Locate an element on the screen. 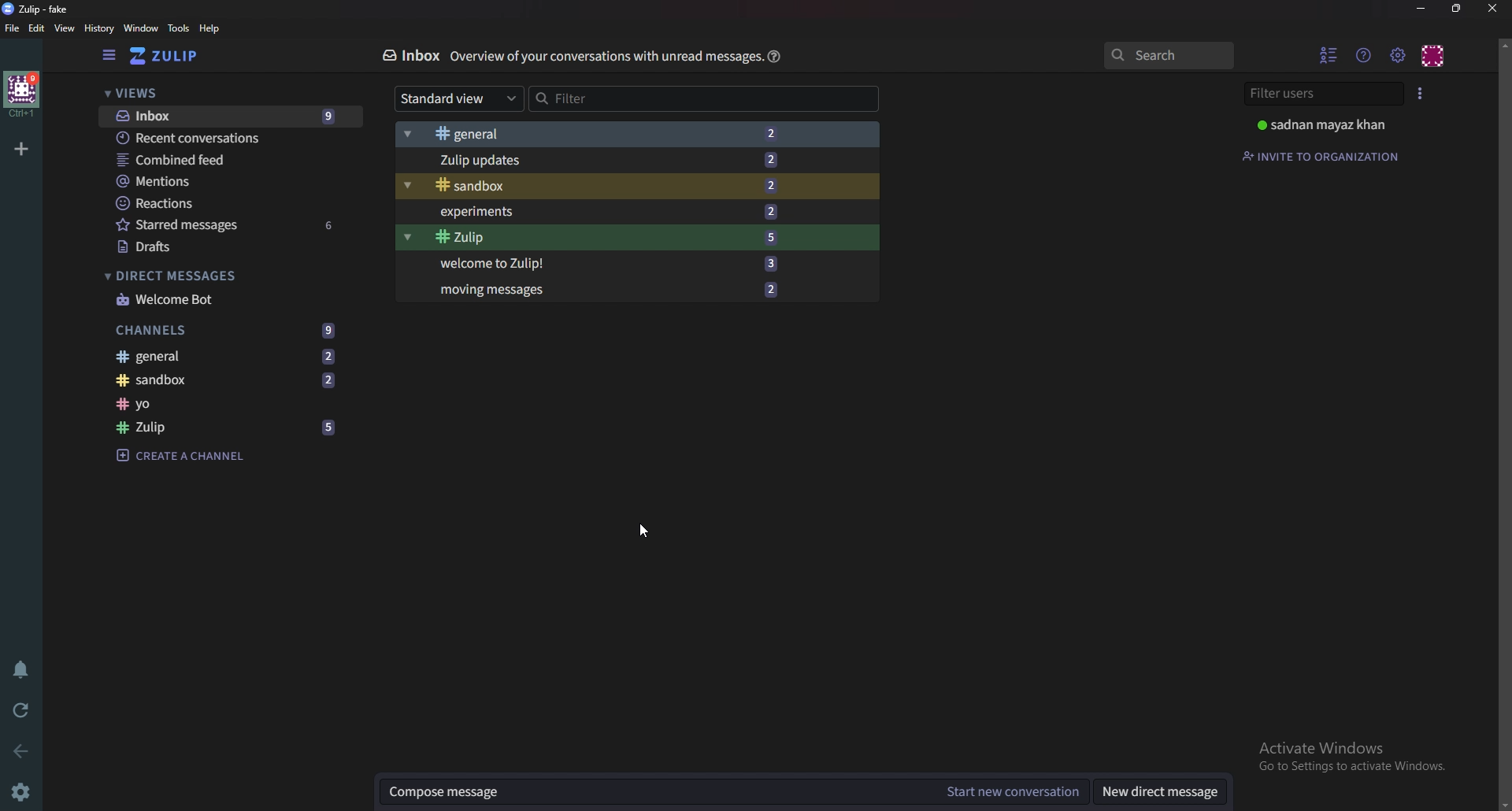  main menu is located at coordinates (1397, 56).